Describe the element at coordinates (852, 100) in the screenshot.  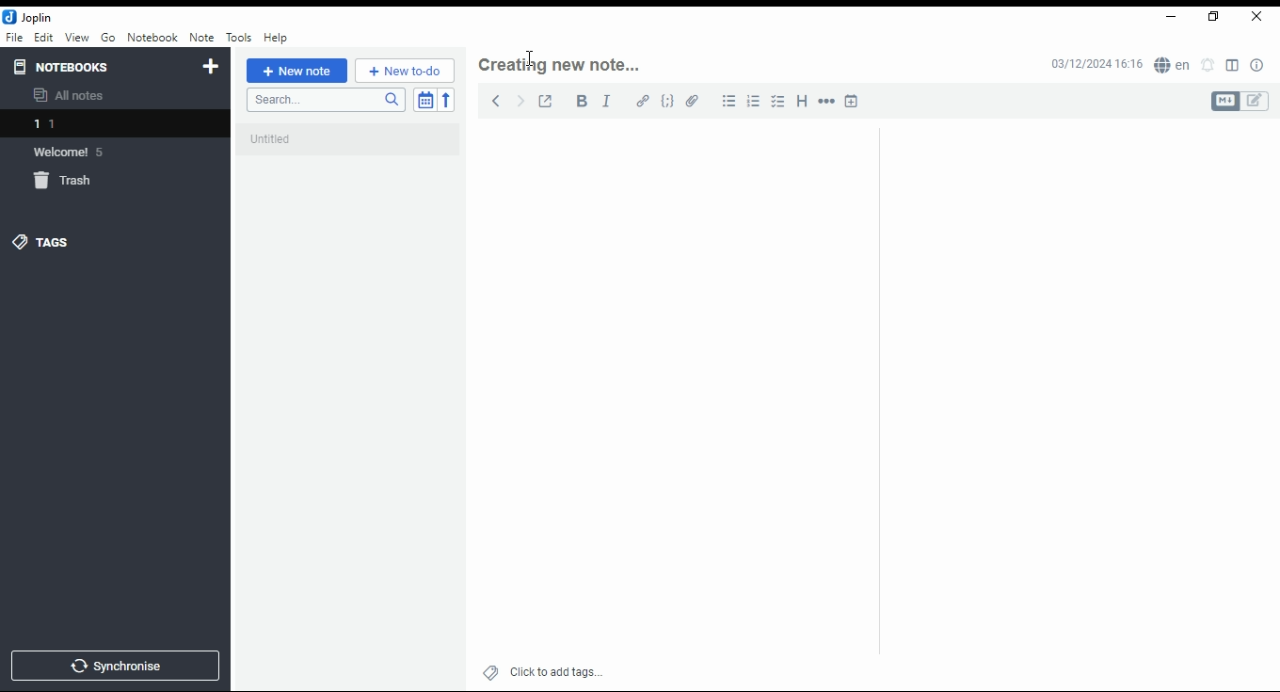
I see `insert time` at that location.